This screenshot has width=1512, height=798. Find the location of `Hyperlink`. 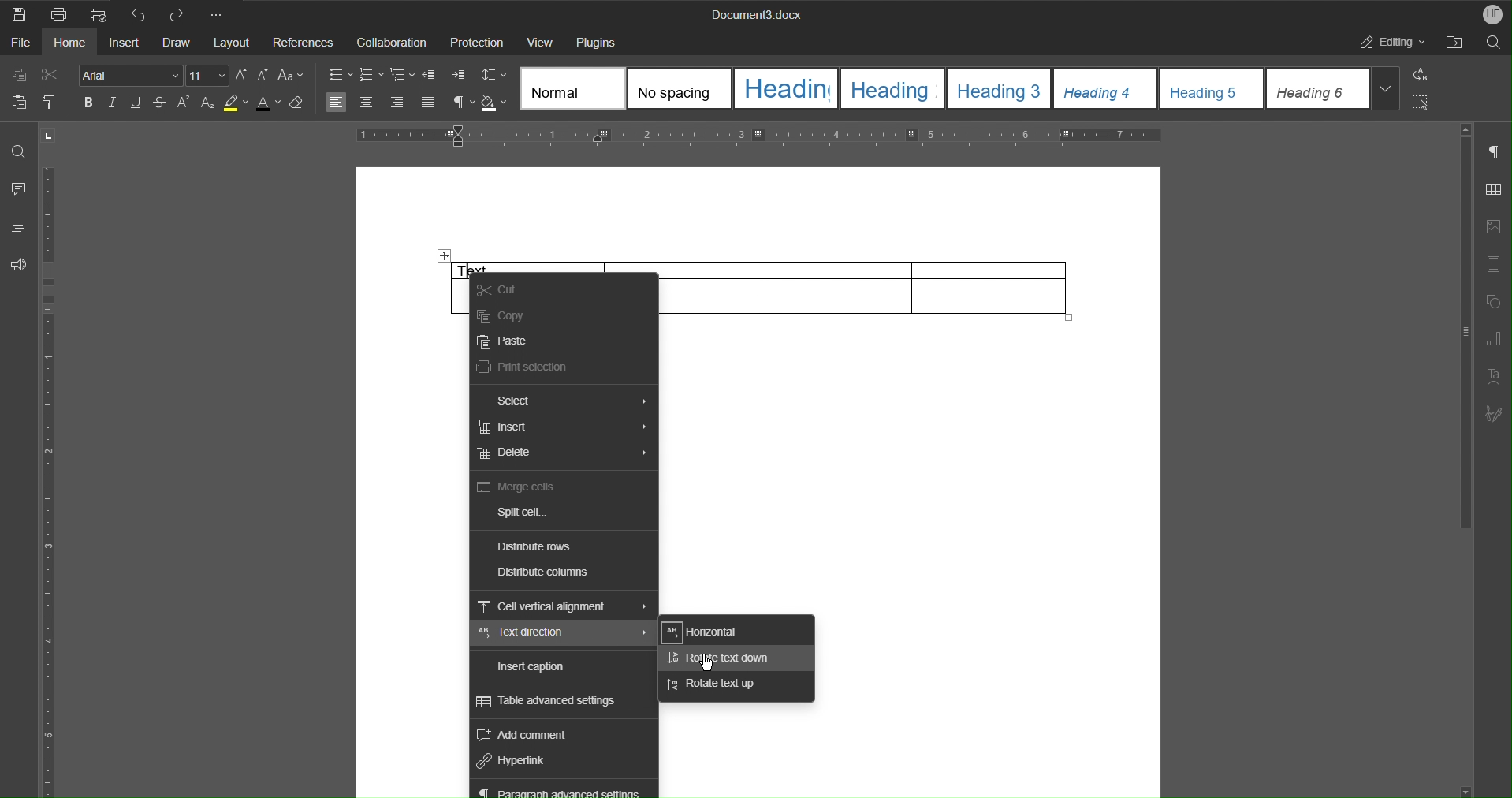

Hyperlink is located at coordinates (517, 761).